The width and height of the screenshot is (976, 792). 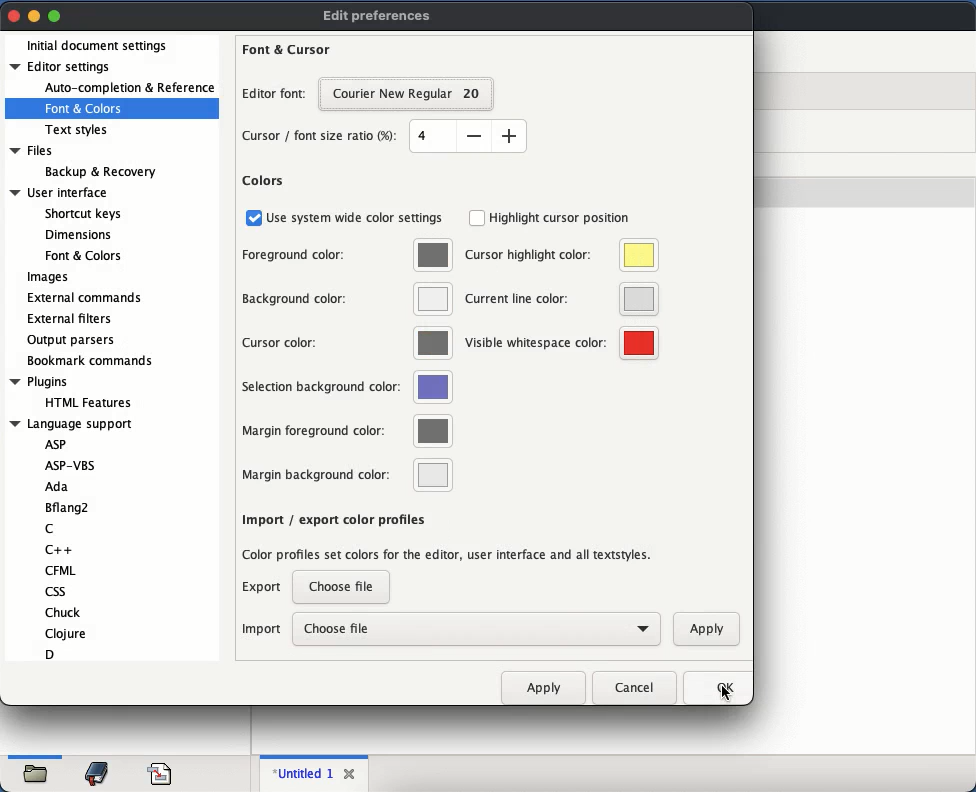 I want to click on margin background color, so click(x=323, y=473).